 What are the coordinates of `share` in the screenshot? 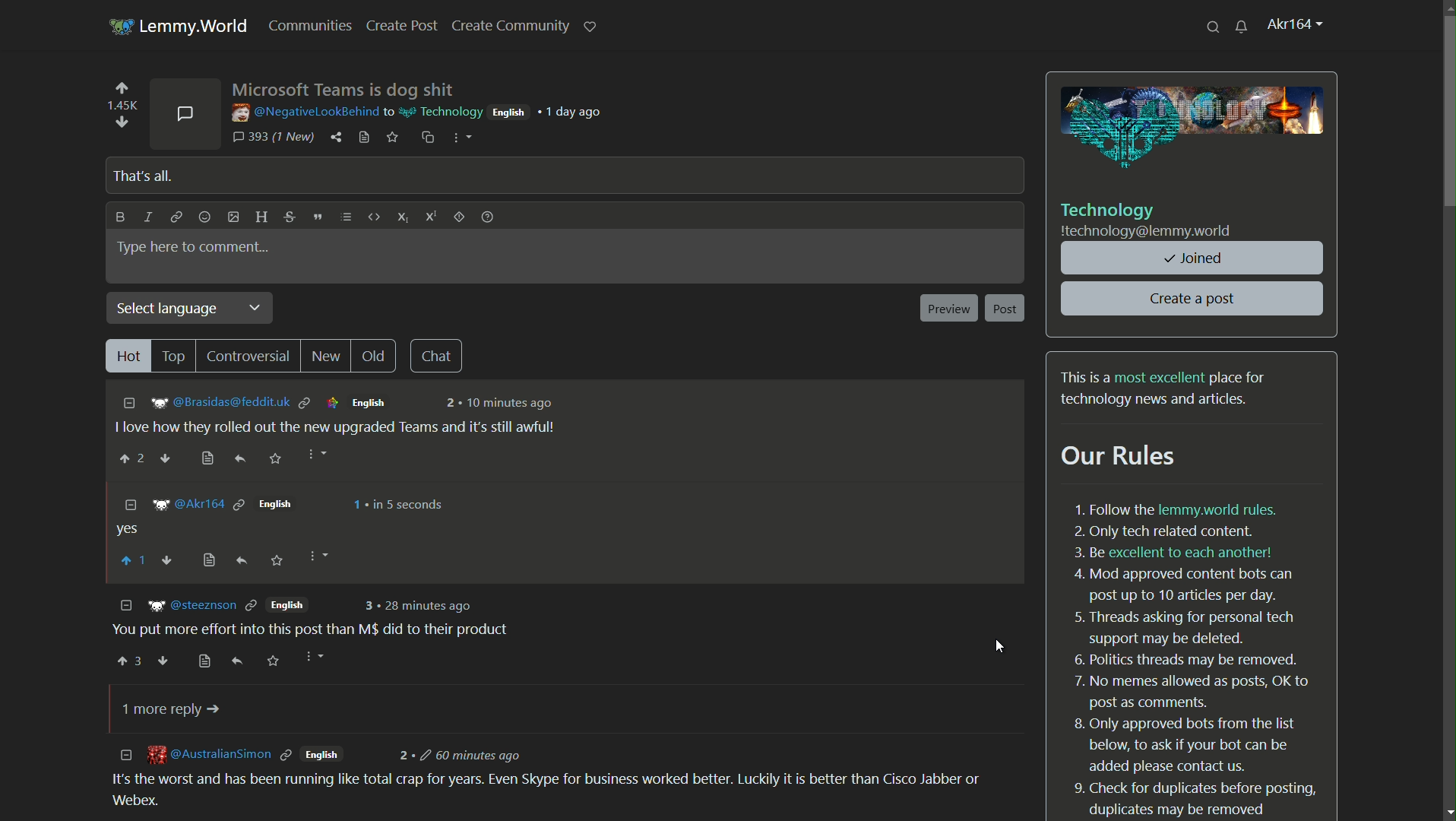 It's located at (337, 138).